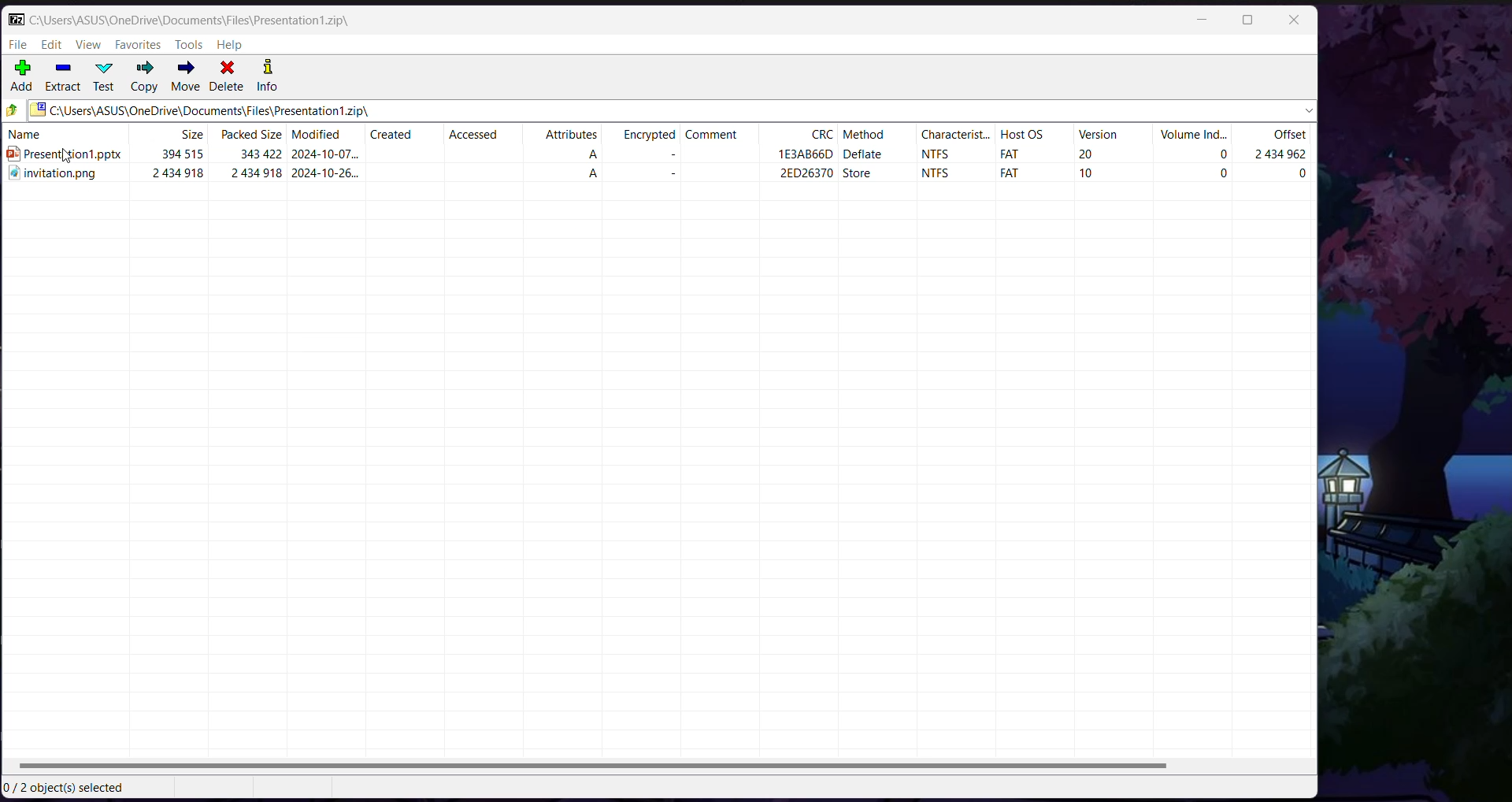 The width and height of the screenshot is (1512, 802). Describe the element at coordinates (939, 156) in the screenshot. I see `NTFS` at that location.